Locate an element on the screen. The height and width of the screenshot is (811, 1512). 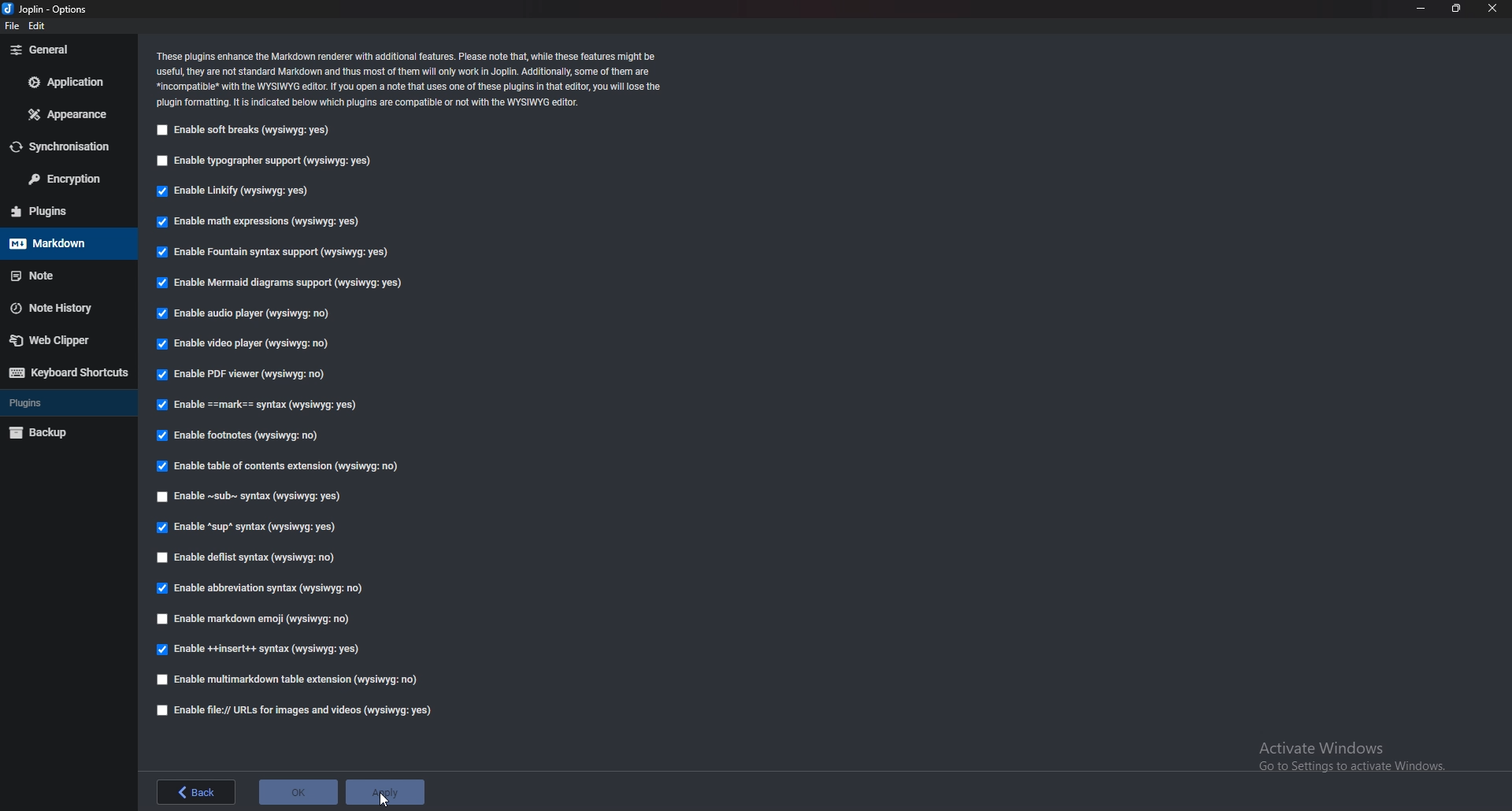
resize is located at coordinates (1455, 9).